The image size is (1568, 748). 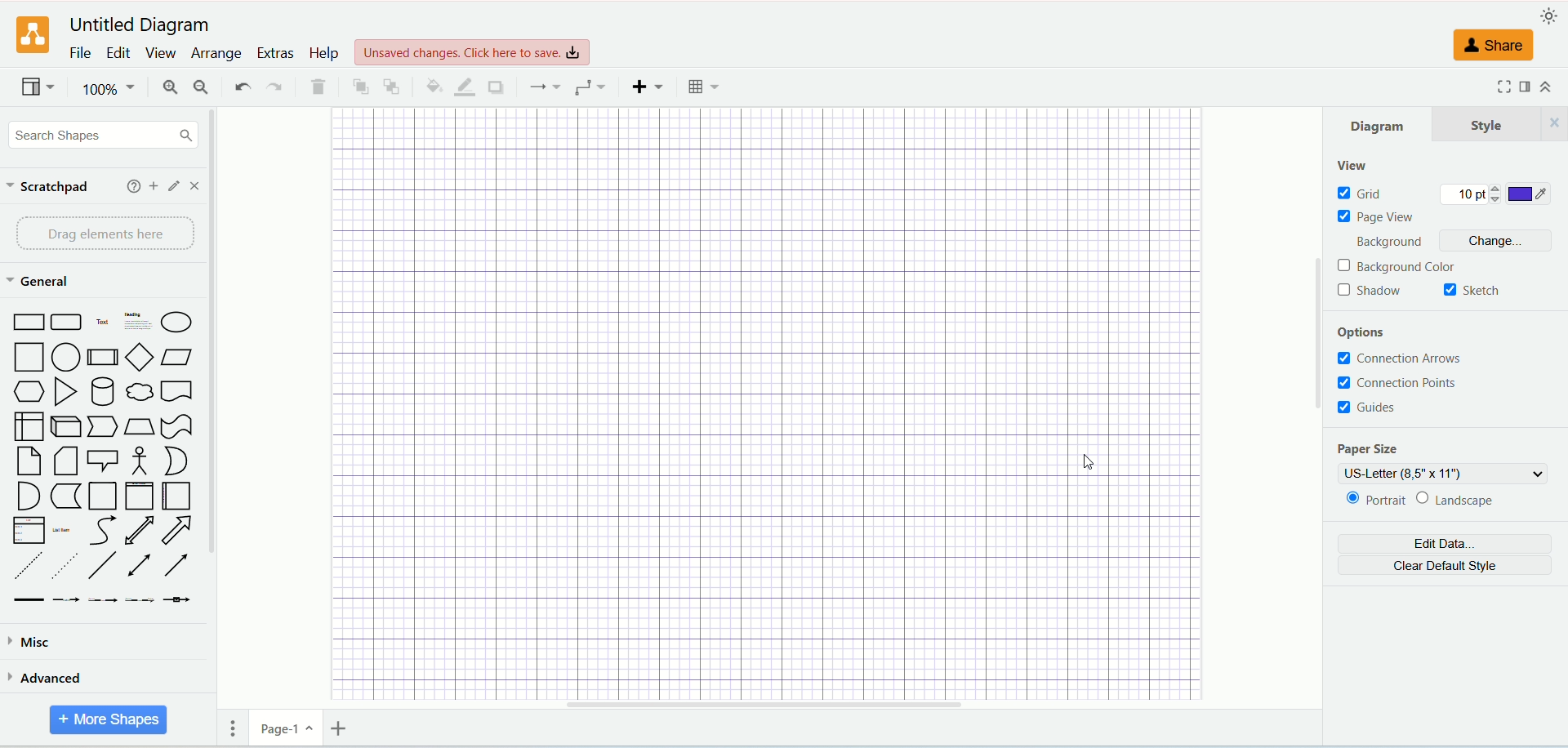 What do you see at coordinates (1373, 218) in the screenshot?
I see `page view` at bounding box center [1373, 218].